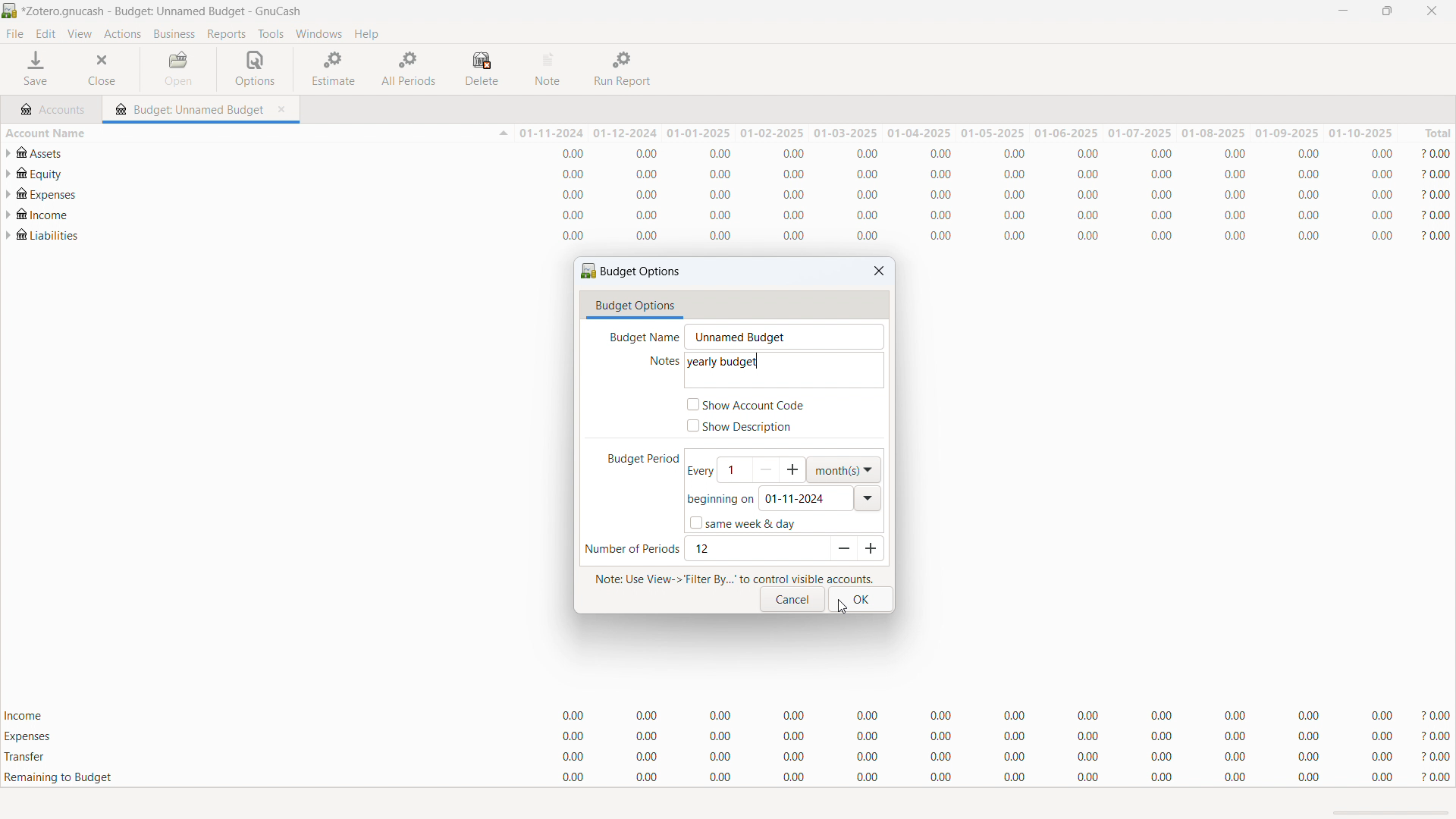 Image resolution: width=1456 pixels, height=819 pixels. What do you see at coordinates (844, 470) in the screenshot?
I see `select duration` at bounding box center [844, 470].